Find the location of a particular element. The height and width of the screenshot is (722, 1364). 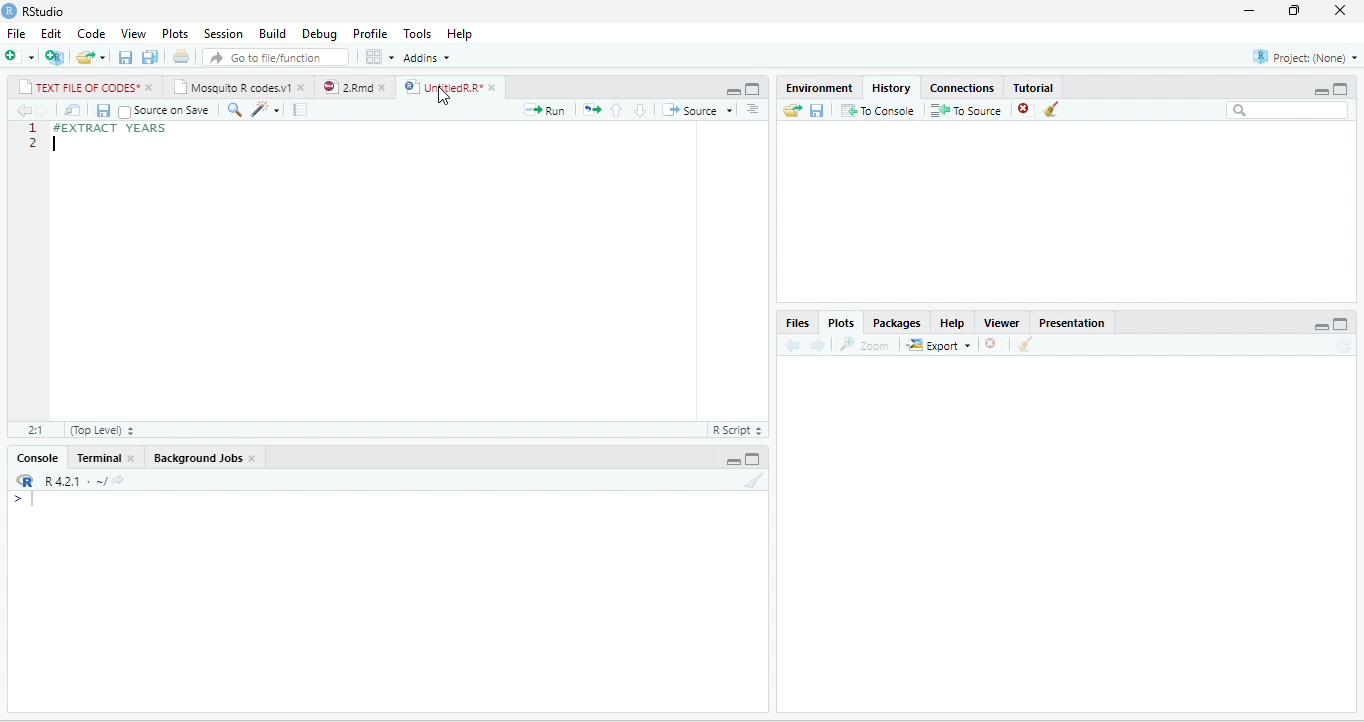

save is located at coordinates (103, 110).